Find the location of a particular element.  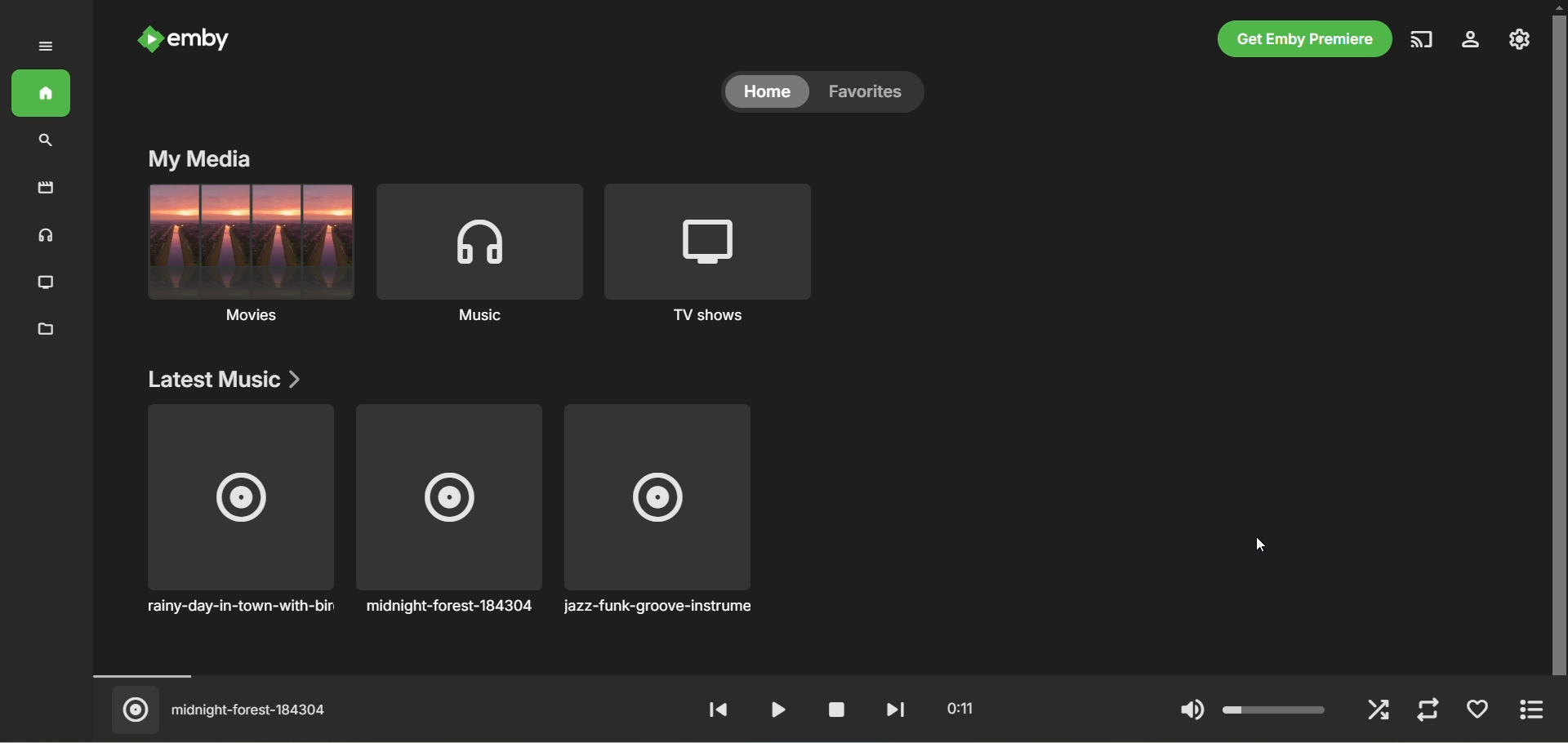

vertical scroll bar is located at coordinates (1558, 341).